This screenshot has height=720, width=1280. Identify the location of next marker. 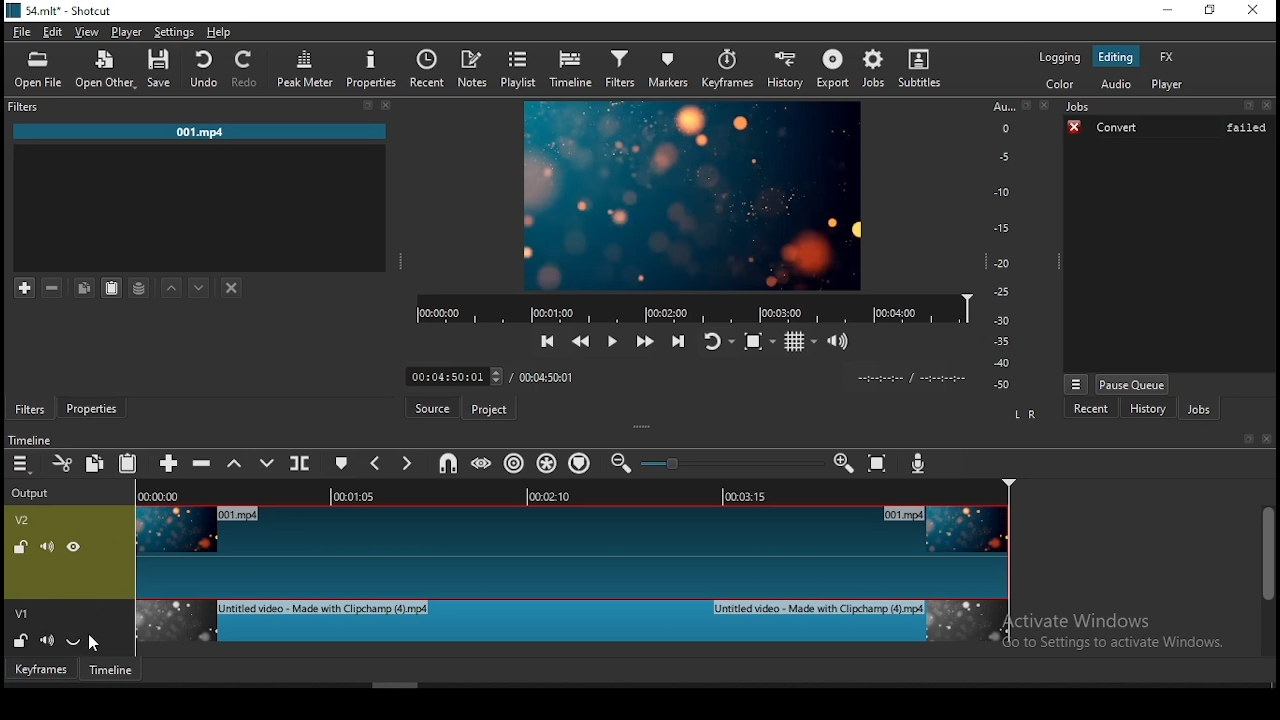
(403, 464).